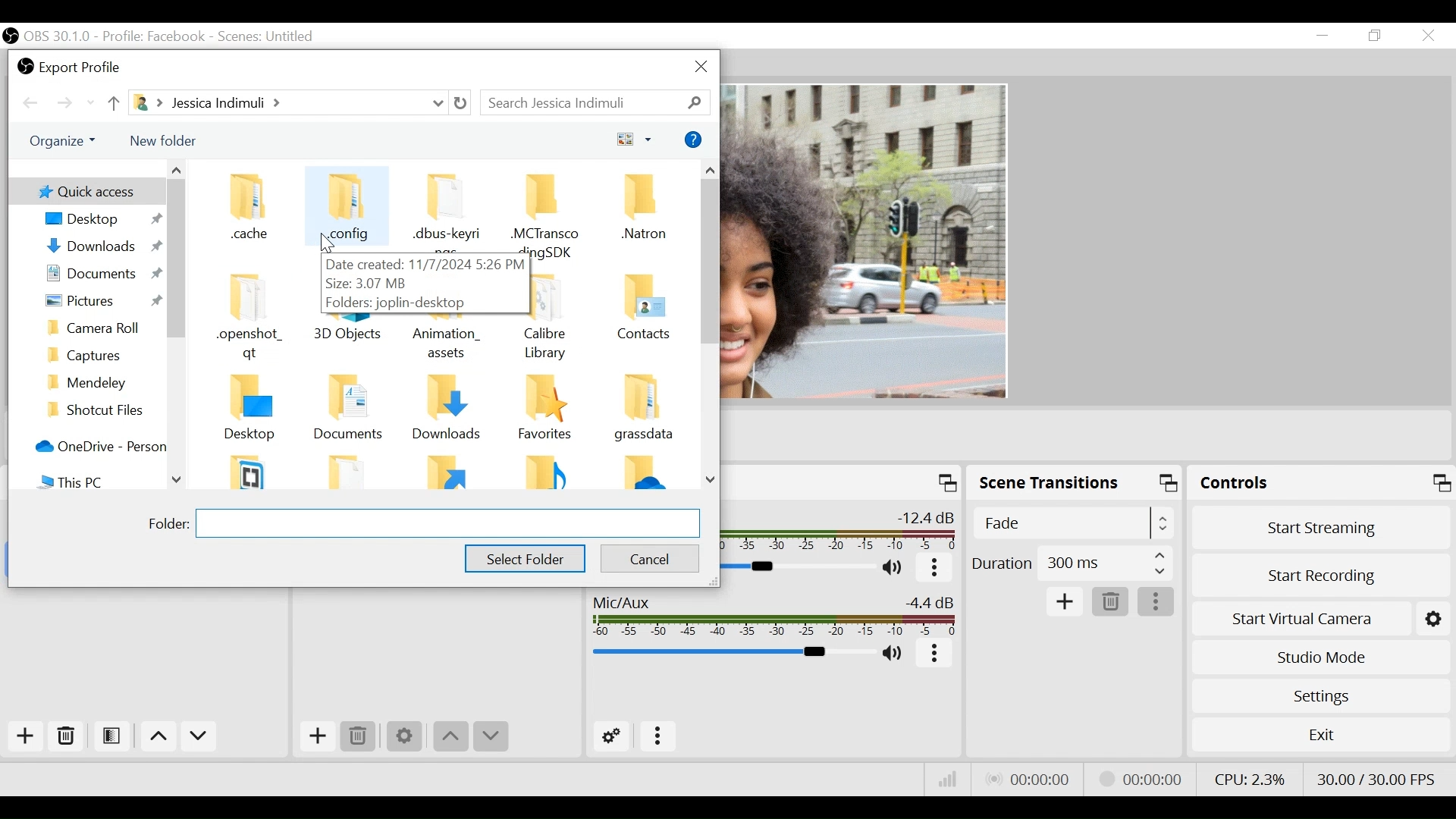 This screenshot has width=1456, height=819. Describe the element at coordinates (85, 190) in the screenshot. I see `Quick Access` at that location.